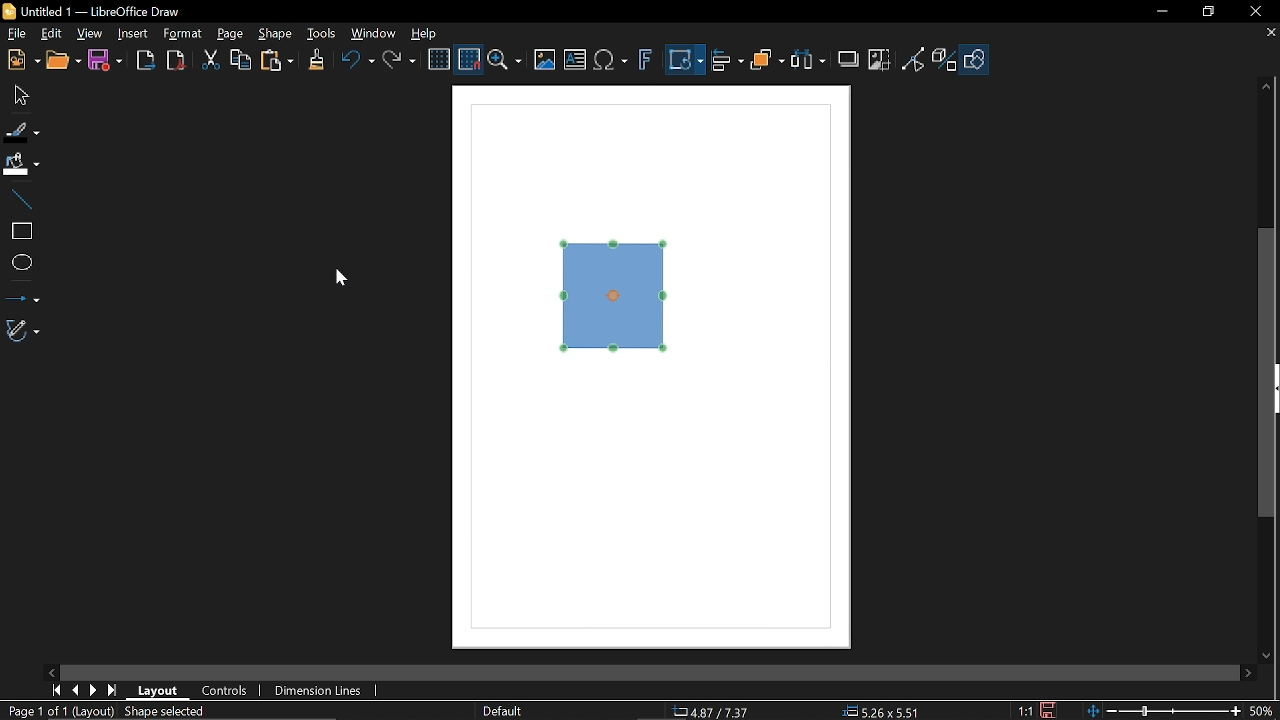 The height and width of the screenshot is (720, 1280). What do you see at coordinates (1255, 12) in the screenshot?
I see `Close window` at bounding box center [1255, 12].